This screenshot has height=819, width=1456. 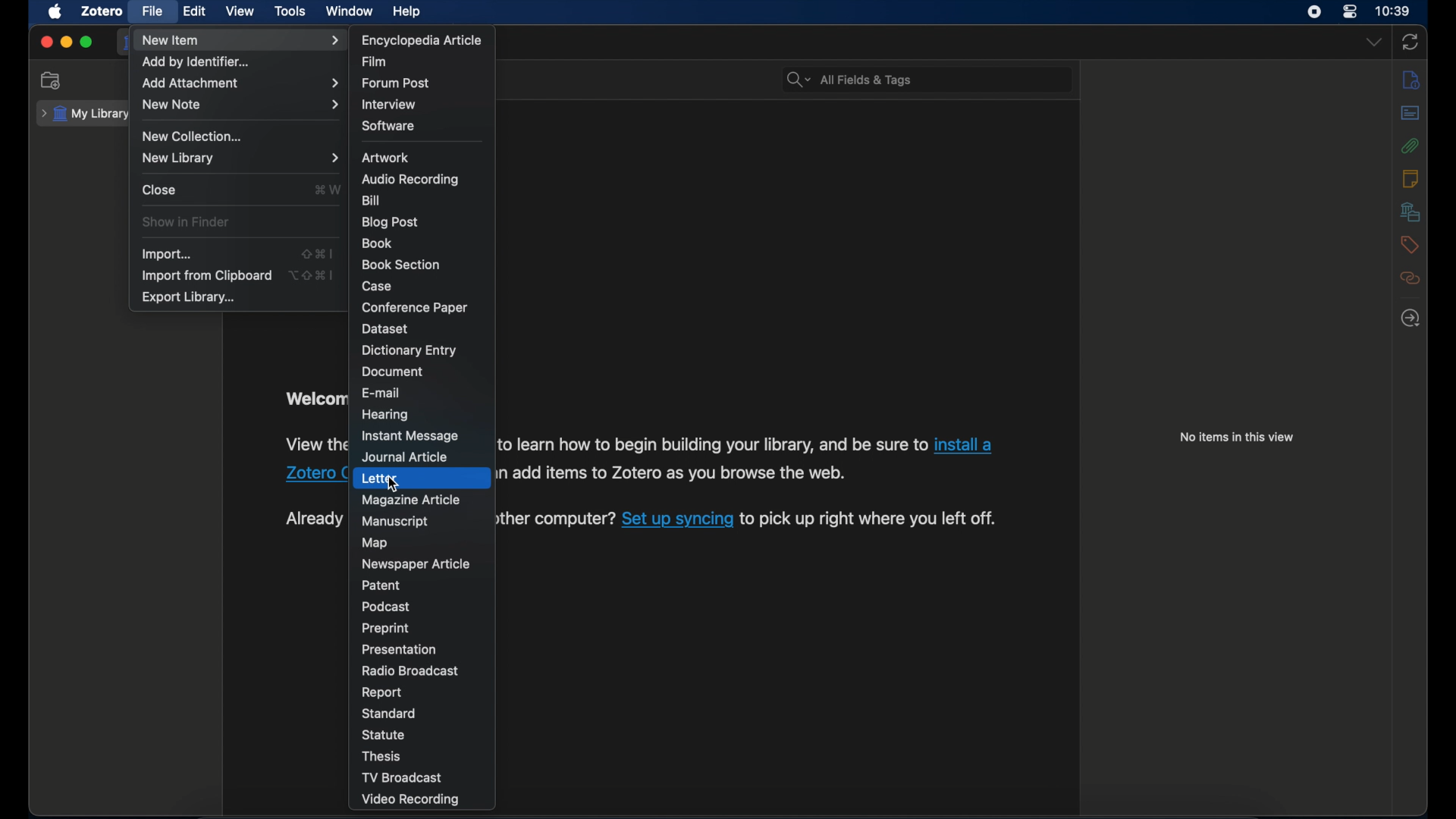 I want to click on New item, so click(x=240, y=40).